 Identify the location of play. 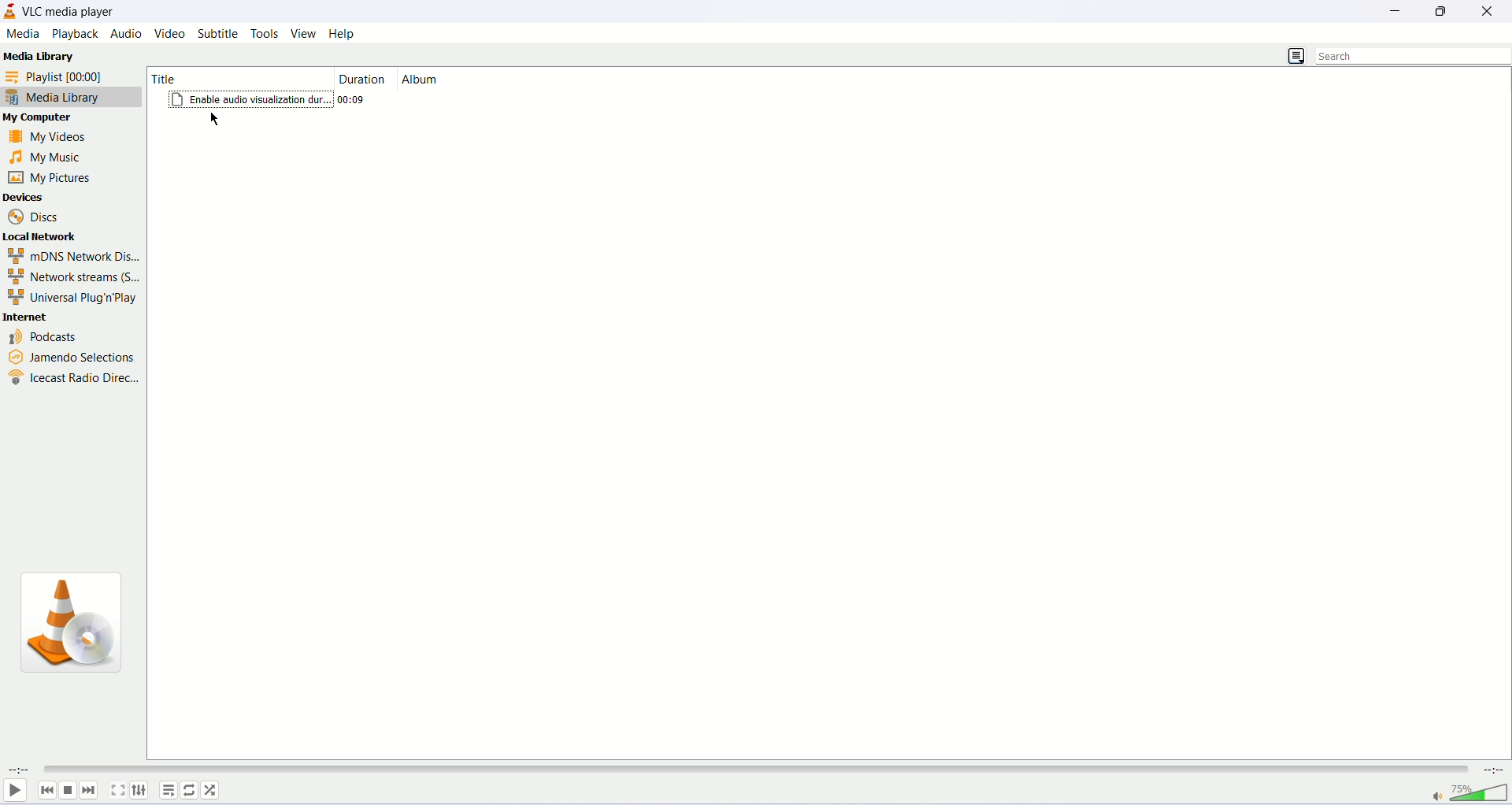
(13, 791).